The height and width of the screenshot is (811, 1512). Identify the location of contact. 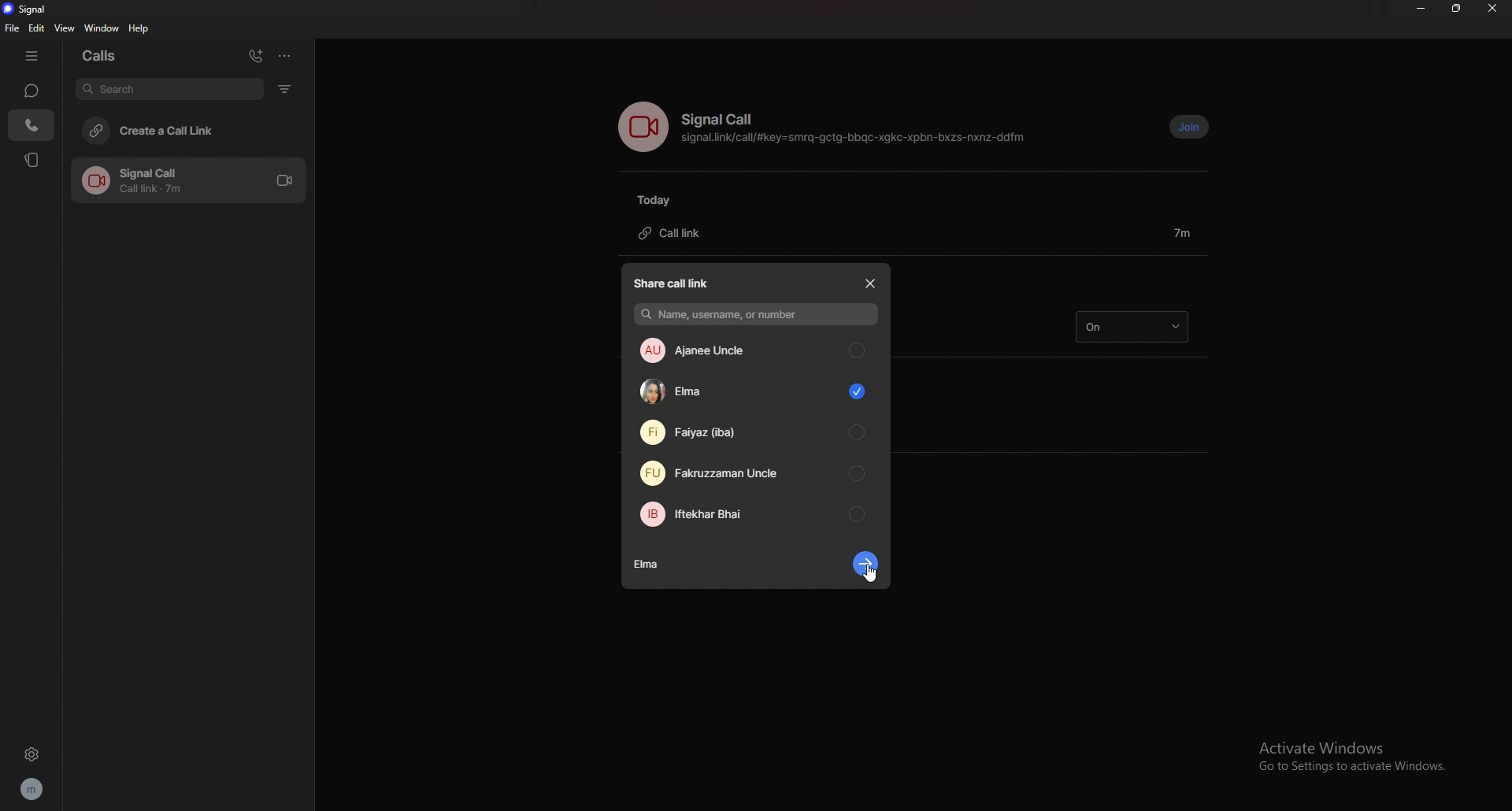
(753, 432).